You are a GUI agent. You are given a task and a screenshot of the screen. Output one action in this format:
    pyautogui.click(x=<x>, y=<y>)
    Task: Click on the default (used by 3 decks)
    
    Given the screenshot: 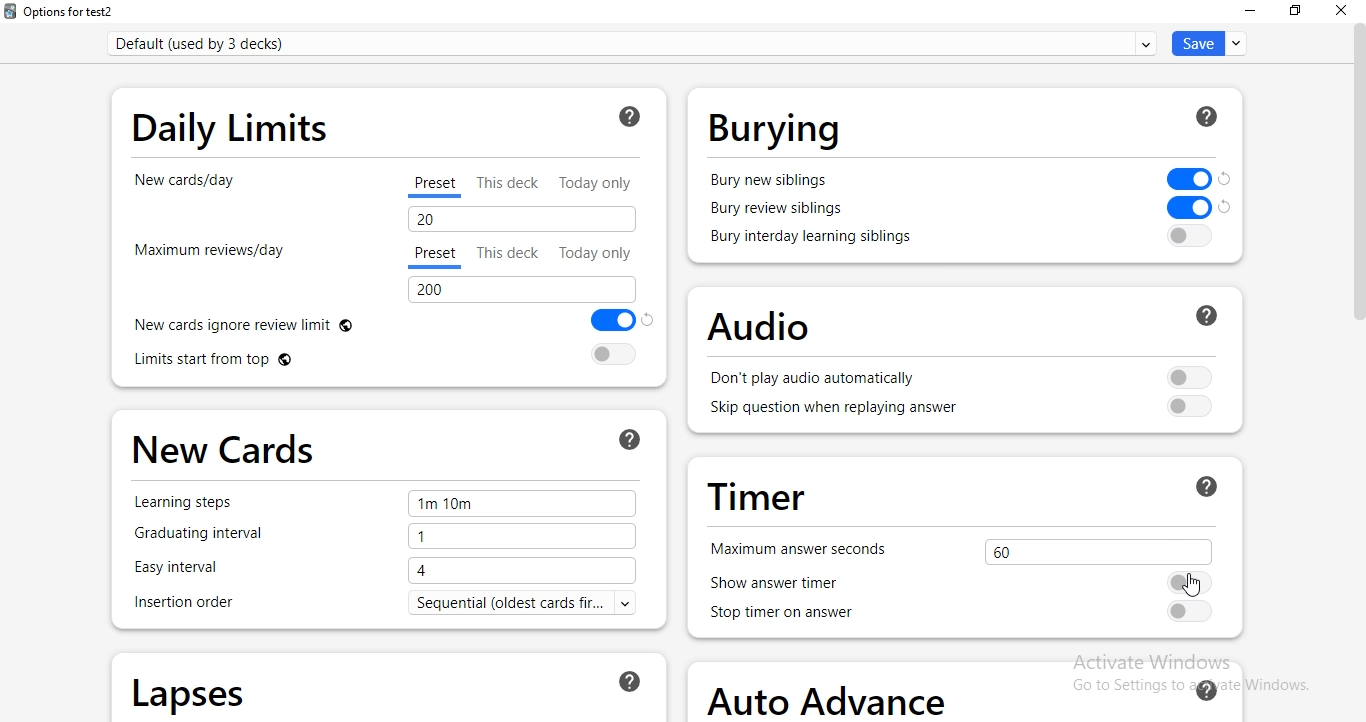 What is the action you would take?
    pyautogui.click(x=639, y=39)
    